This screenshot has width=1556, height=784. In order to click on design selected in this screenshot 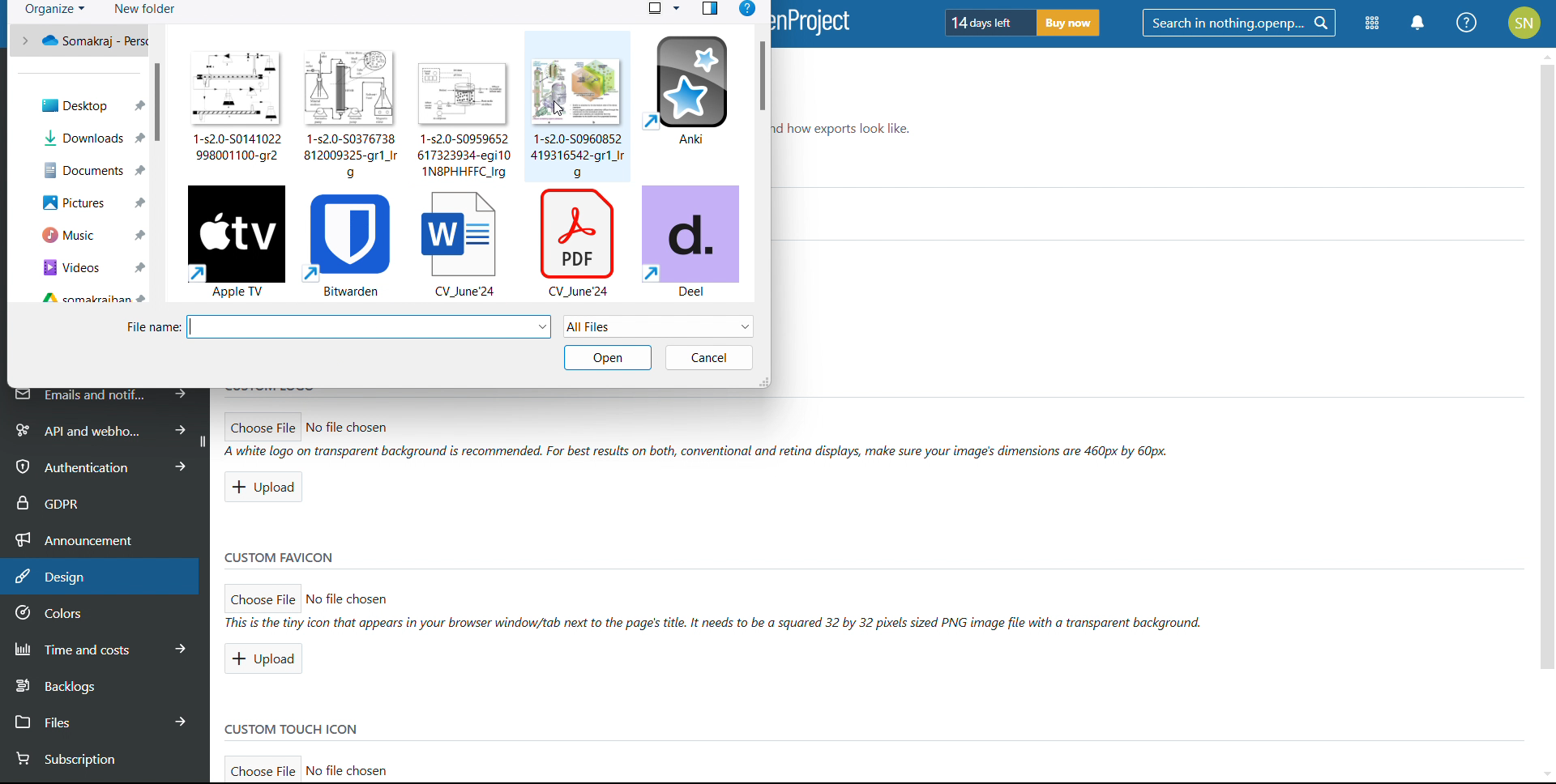, I will do `click(100, 577)`.